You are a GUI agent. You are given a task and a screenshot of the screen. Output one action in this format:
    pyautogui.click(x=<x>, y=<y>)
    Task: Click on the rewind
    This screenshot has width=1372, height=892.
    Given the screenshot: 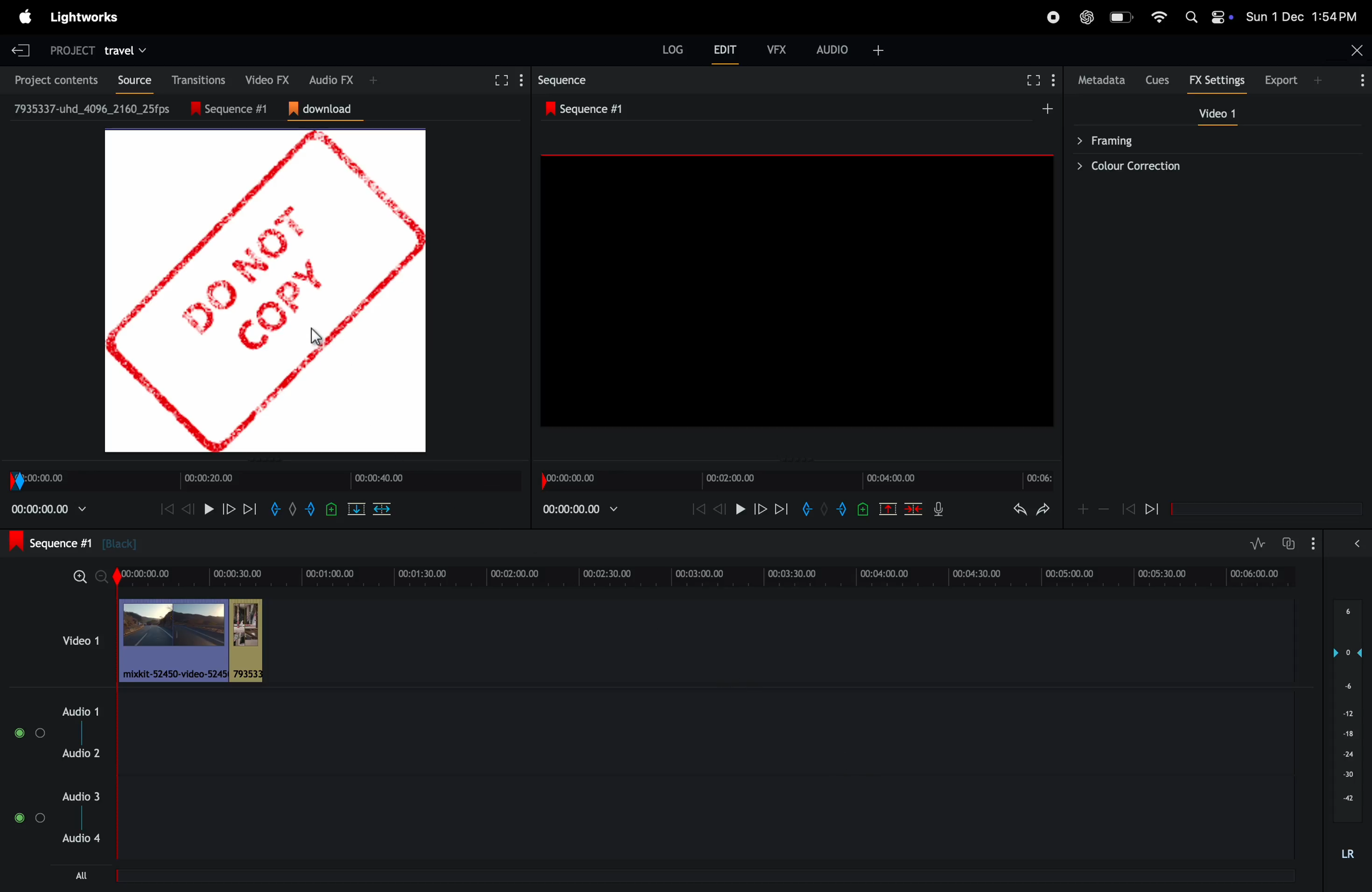 What is the action you would take?
    pyautogui.click(x=913, y=508)
    